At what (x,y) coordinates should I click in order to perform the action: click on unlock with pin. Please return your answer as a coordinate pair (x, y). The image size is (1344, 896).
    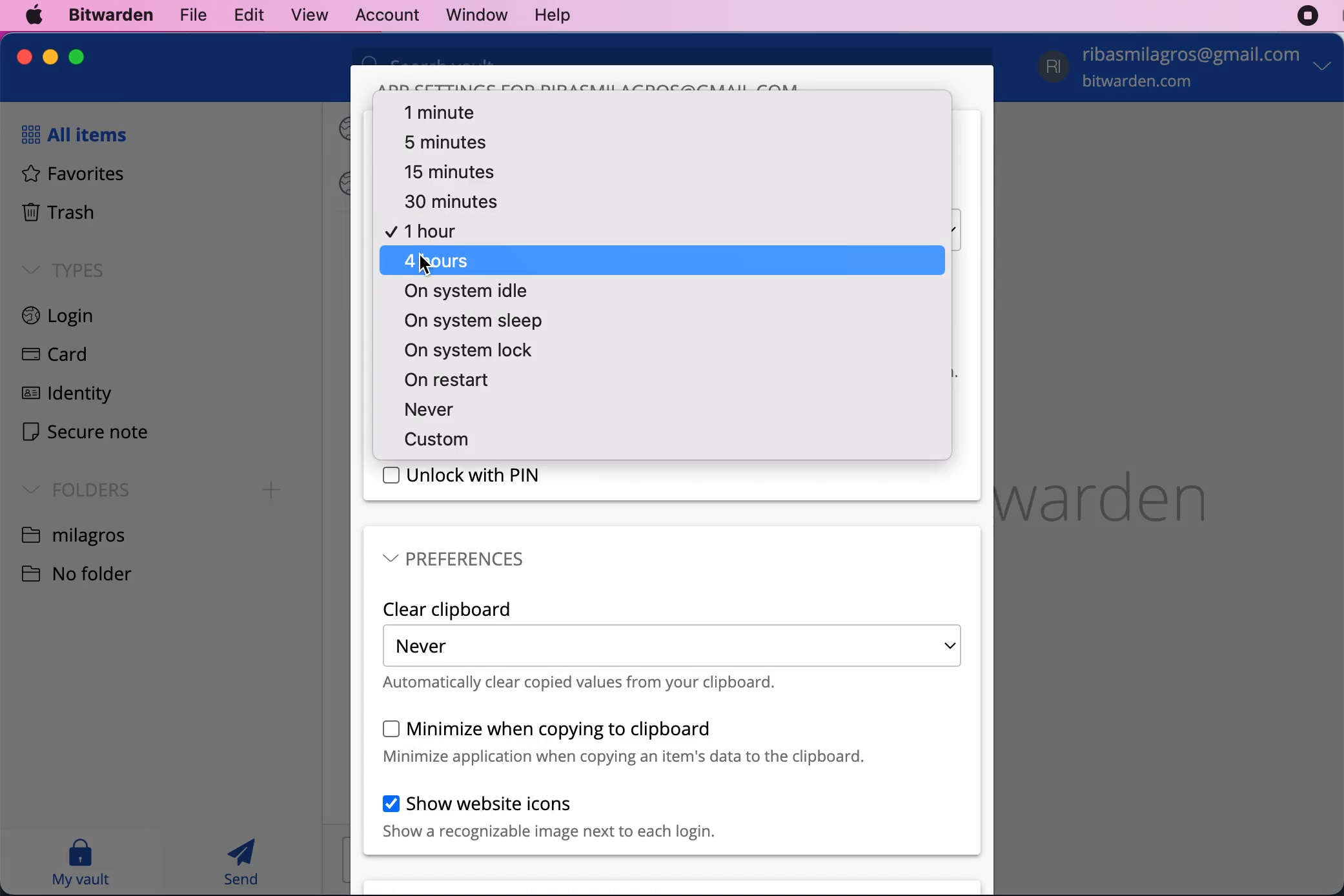
    Looking at the image, I should click on (463, 476).